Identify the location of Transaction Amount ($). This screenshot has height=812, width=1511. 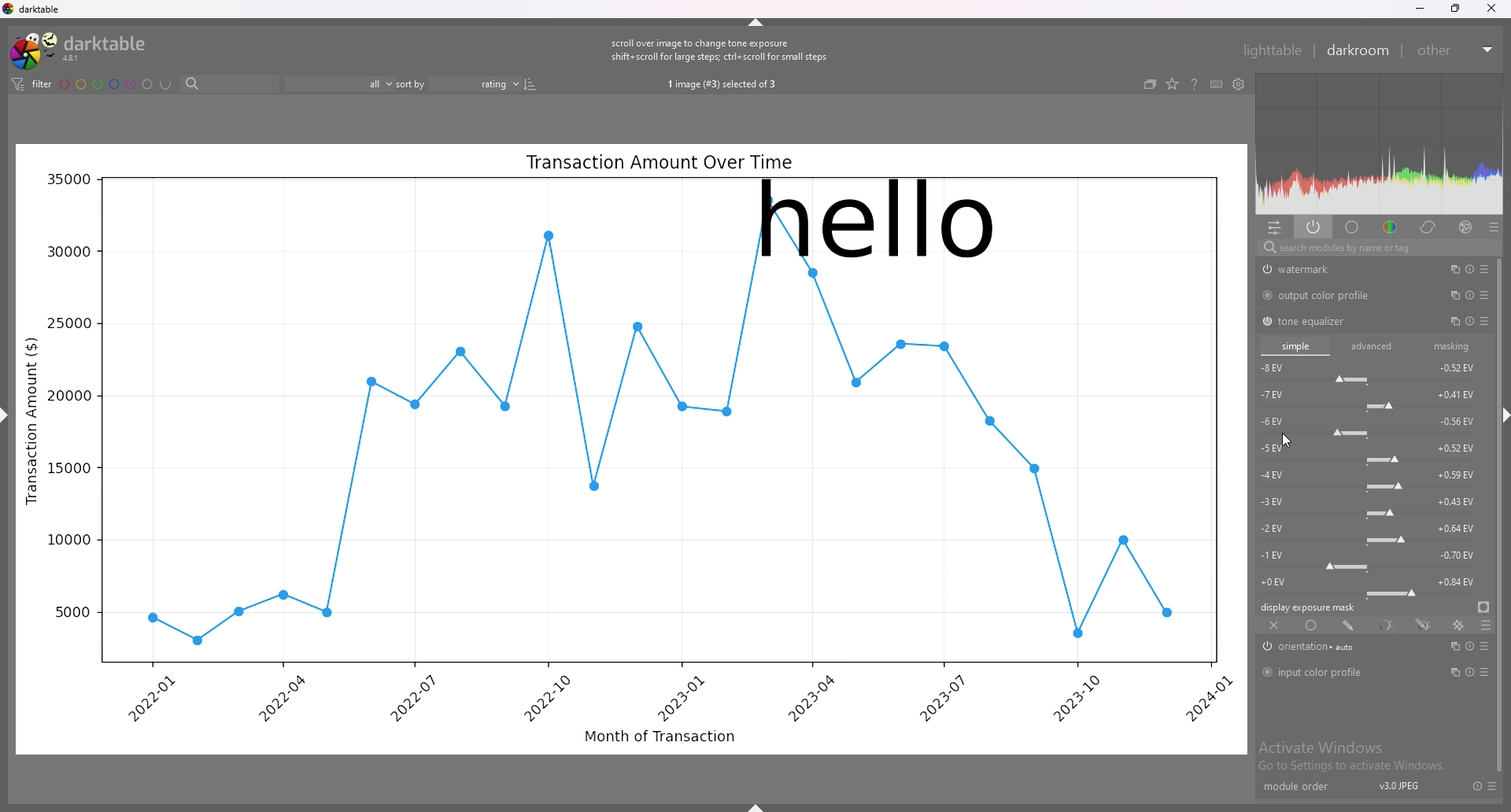
(32, 419).